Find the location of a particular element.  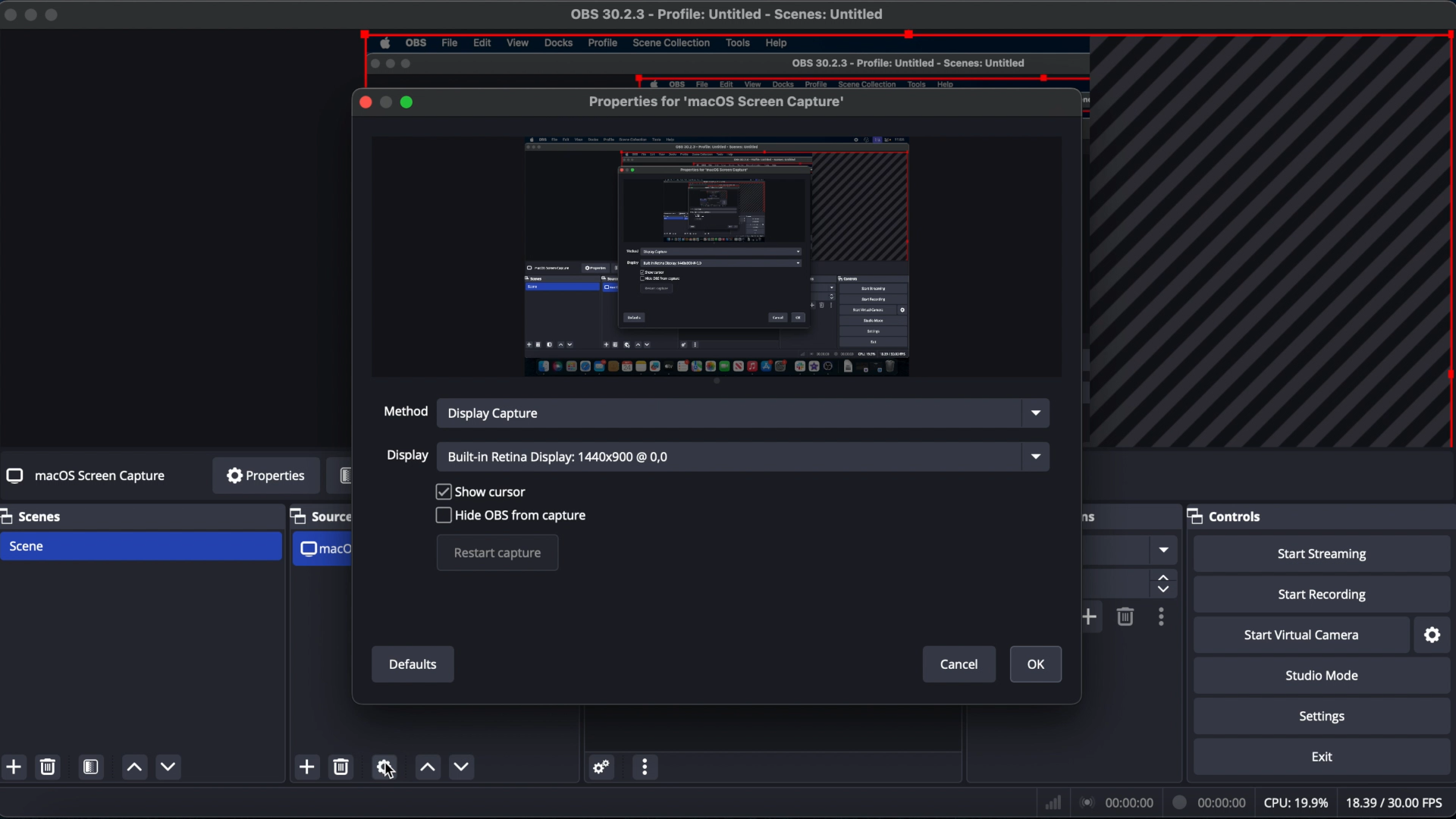

stepper buttons is located at coordinates (1163, 584).